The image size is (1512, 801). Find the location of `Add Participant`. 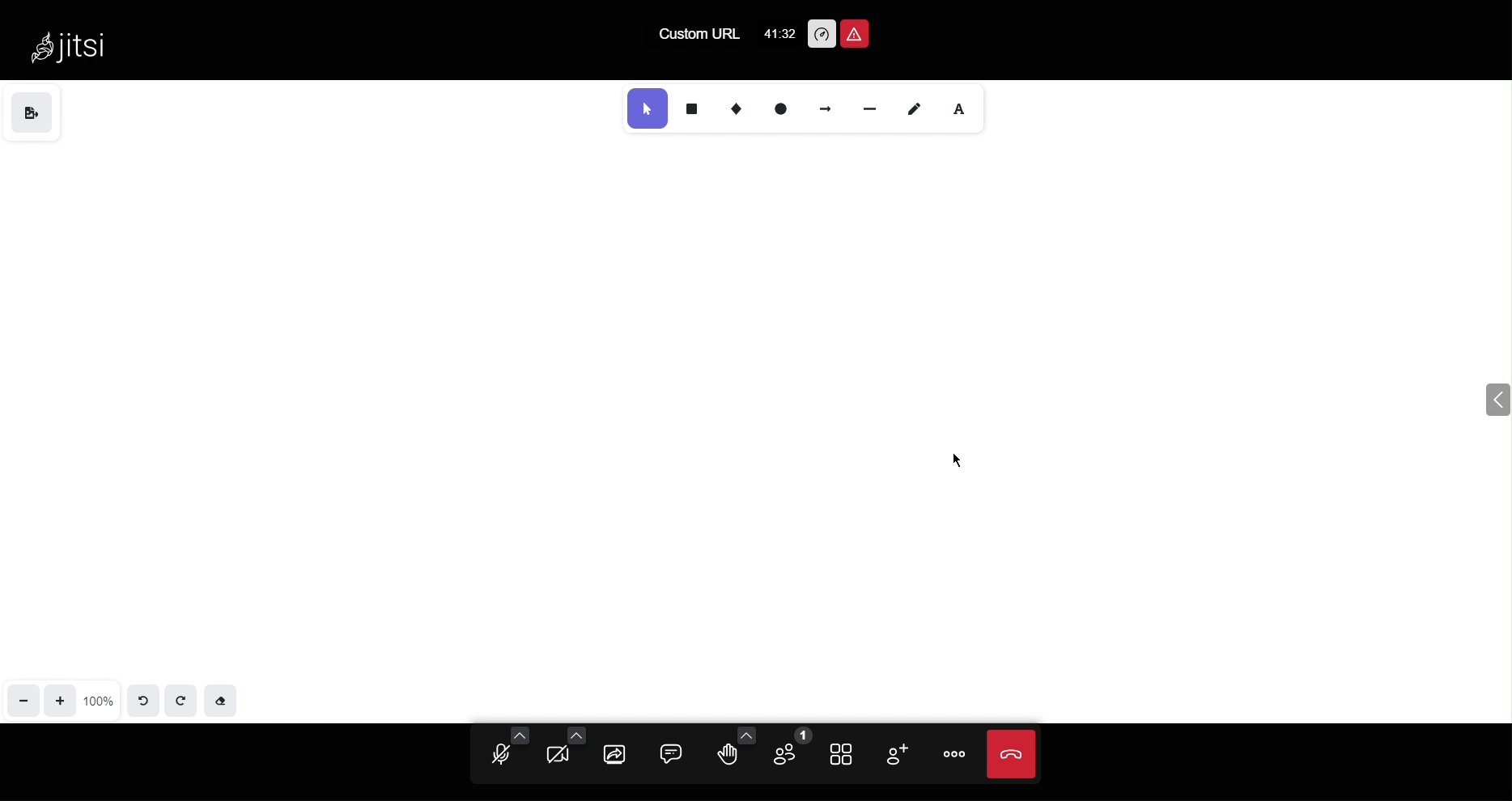

Add Participant is located at coordinates (903, 752).